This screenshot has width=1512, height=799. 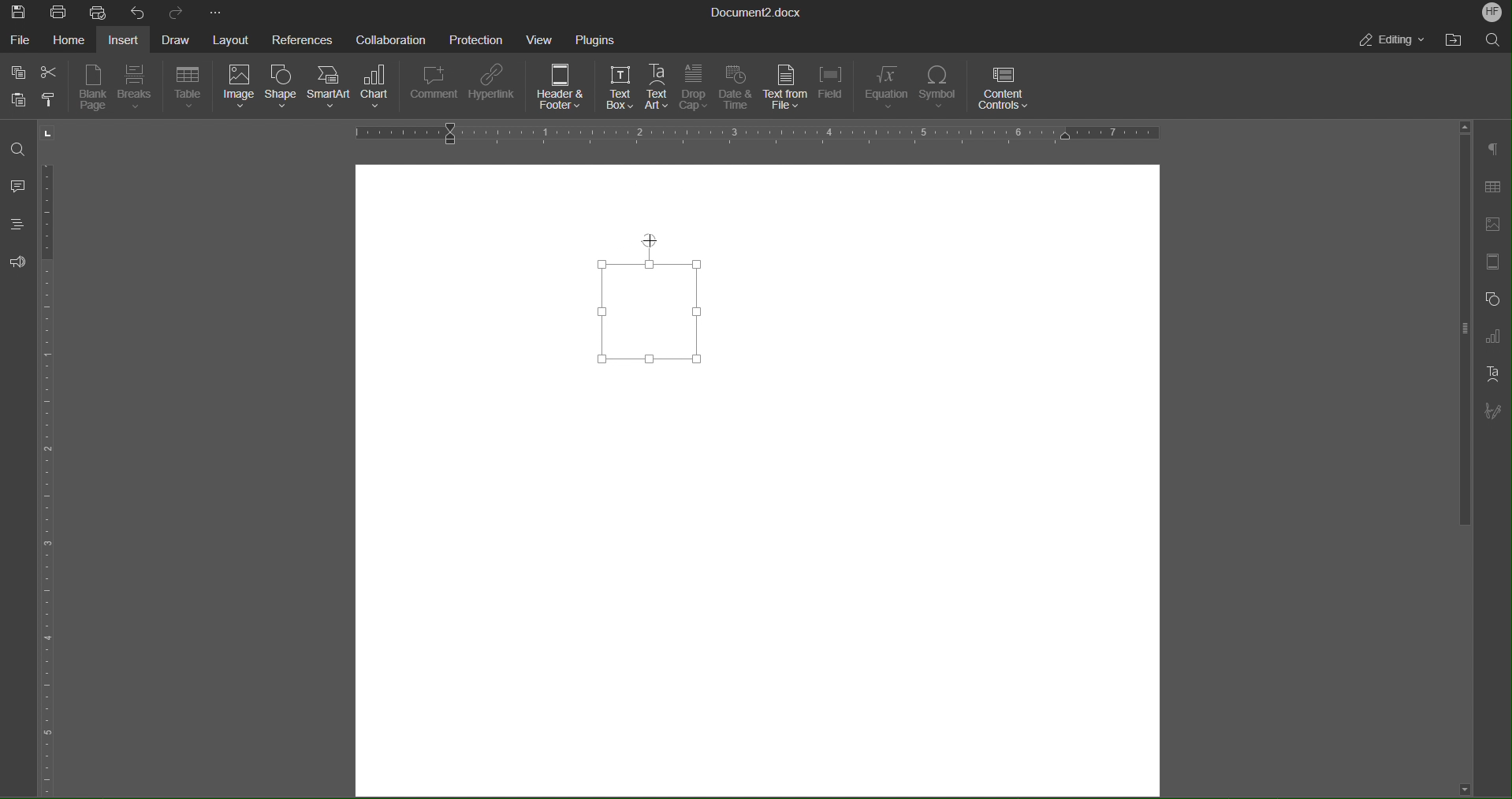 I want to click on Drop Cap, so click(x=694, y=88).